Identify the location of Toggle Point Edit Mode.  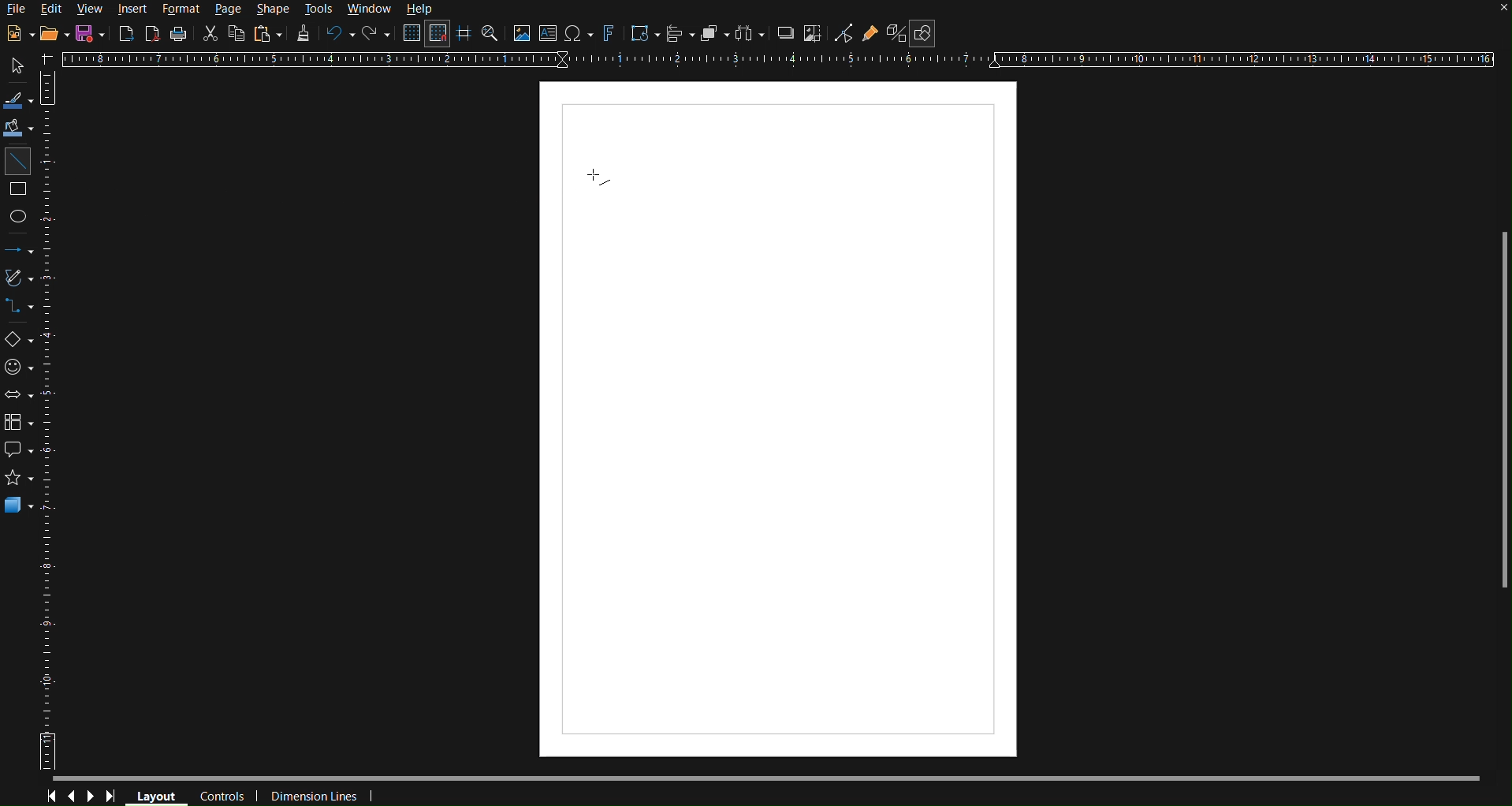
(844, 32).